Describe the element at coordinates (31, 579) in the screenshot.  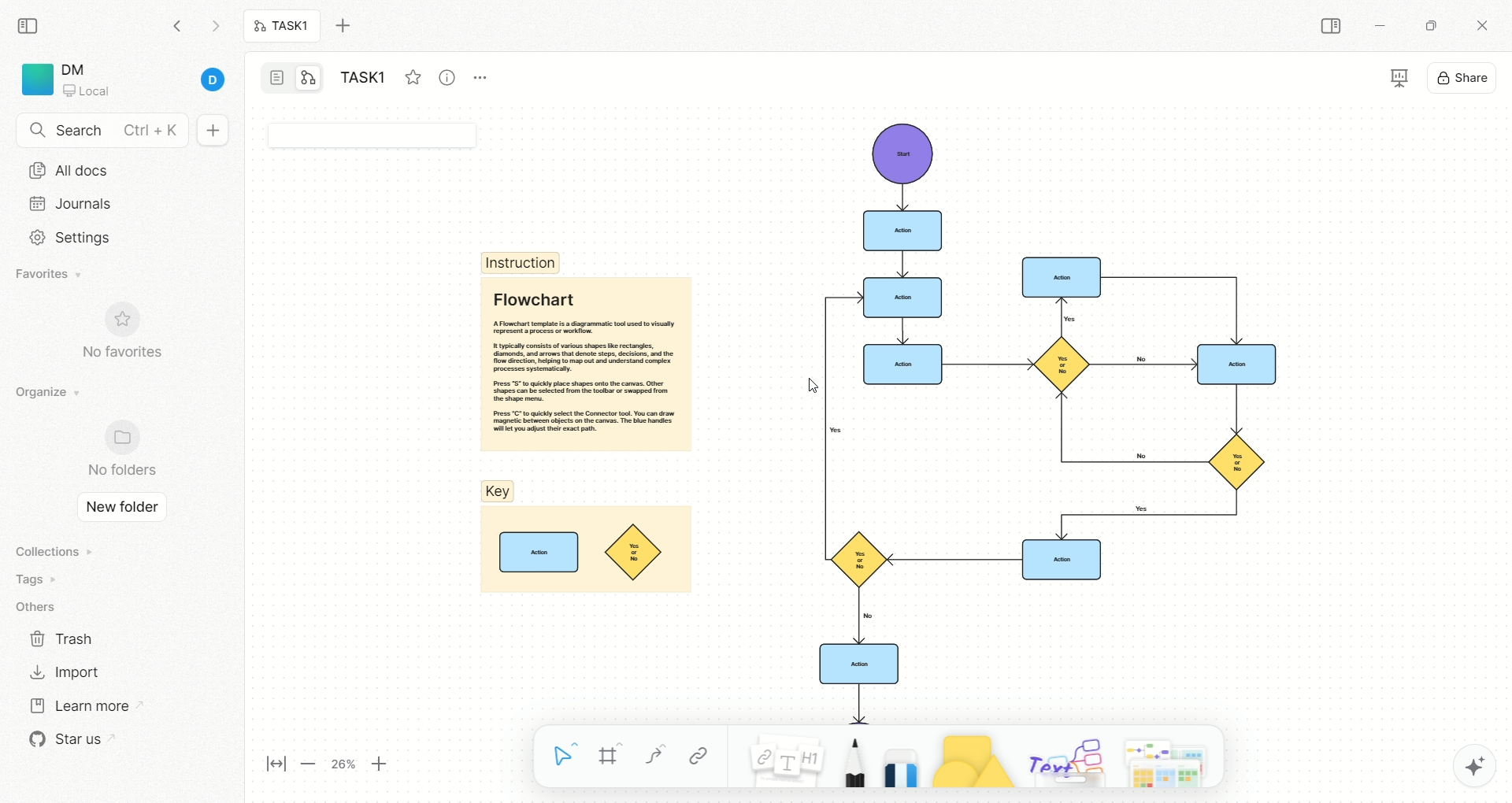
I see `tags` at that location.